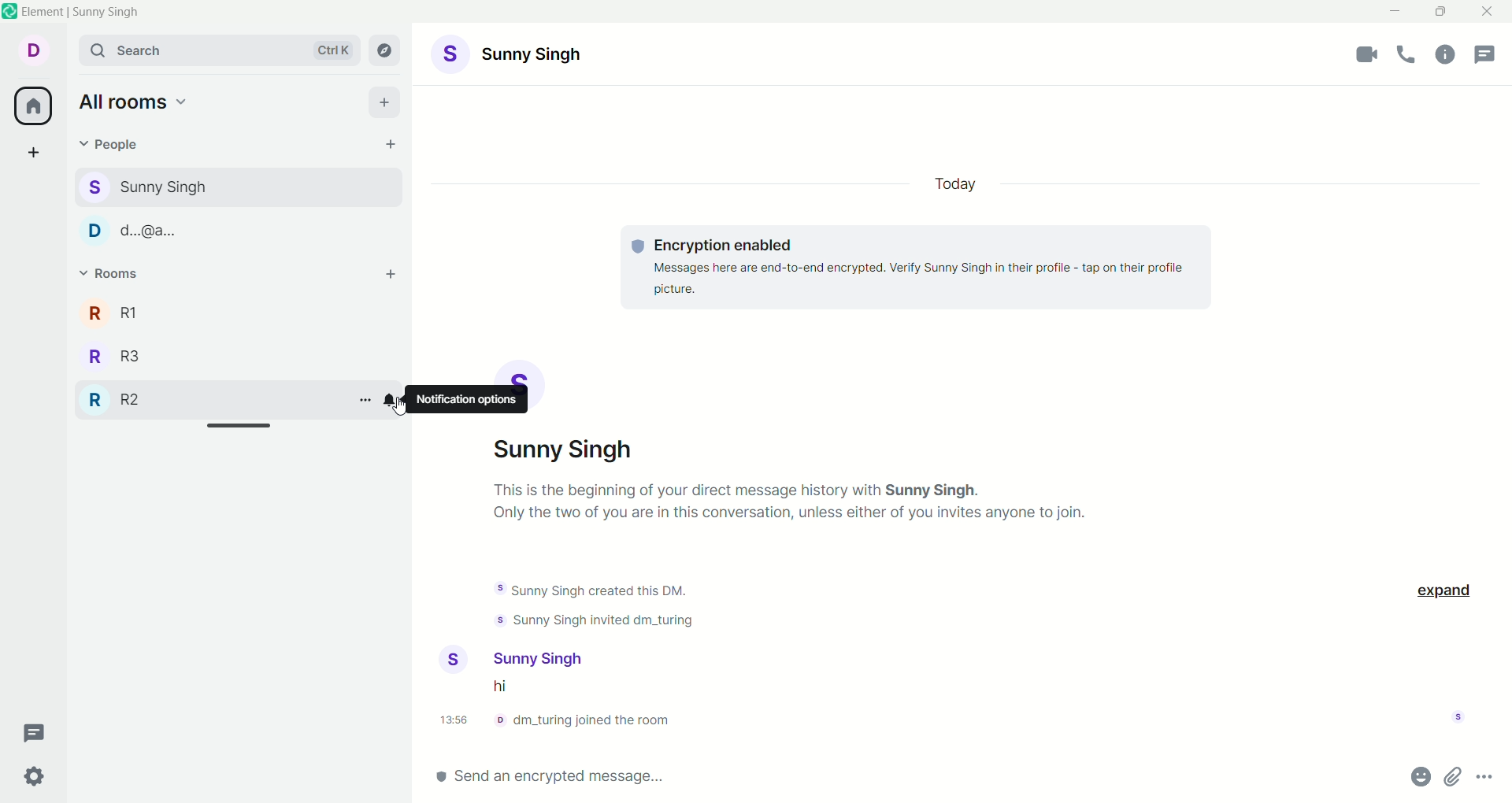 Image resolution: width=1512 pixels, height=803 pixels. What do you see at coordinates (1445, 54) in the screenshot?
I see `room info` at bounding box center [1445, 54].